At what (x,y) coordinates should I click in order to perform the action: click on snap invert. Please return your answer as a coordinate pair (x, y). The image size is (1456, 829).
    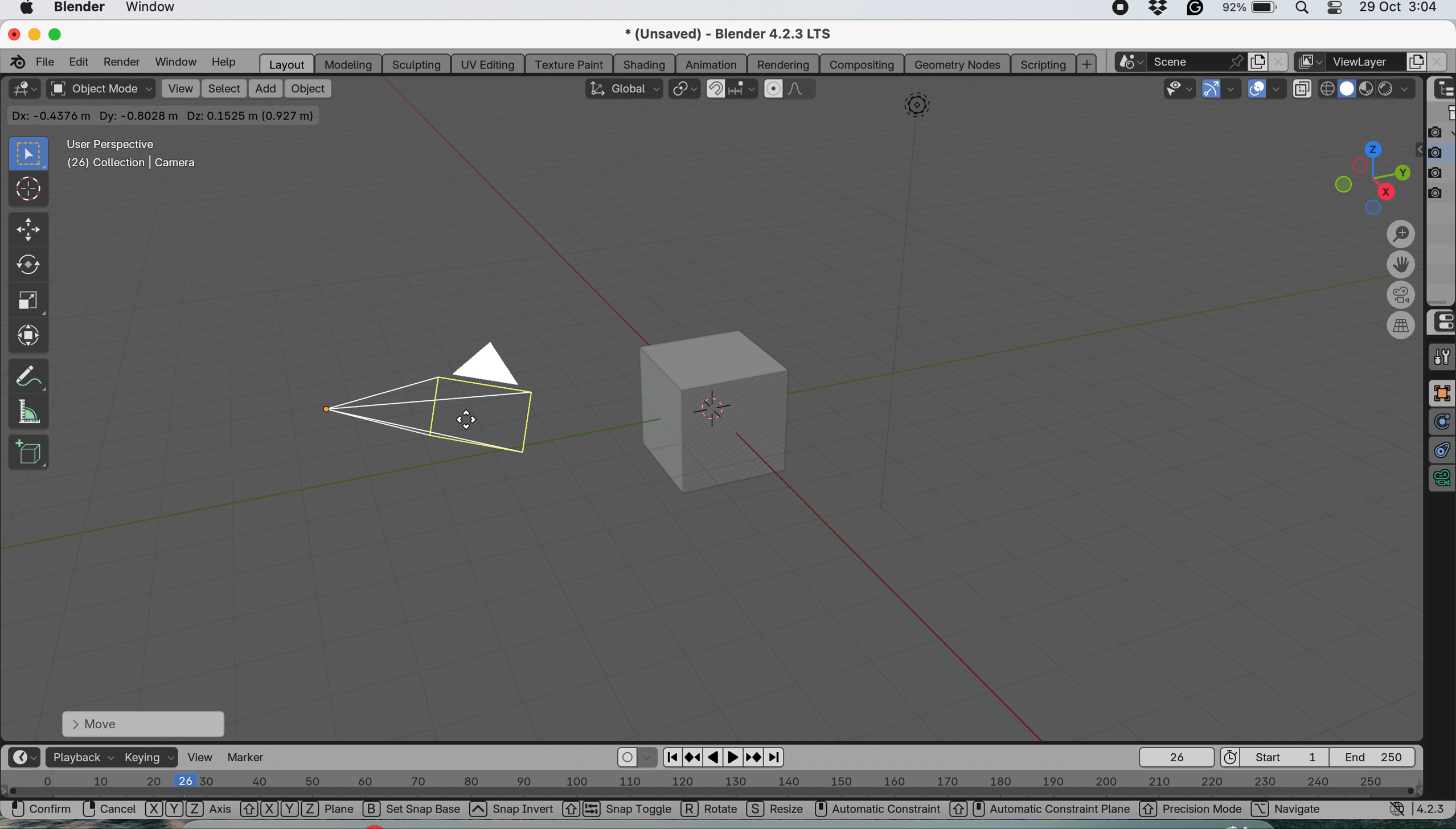
    Looking at the image, I should click on (535, 811).